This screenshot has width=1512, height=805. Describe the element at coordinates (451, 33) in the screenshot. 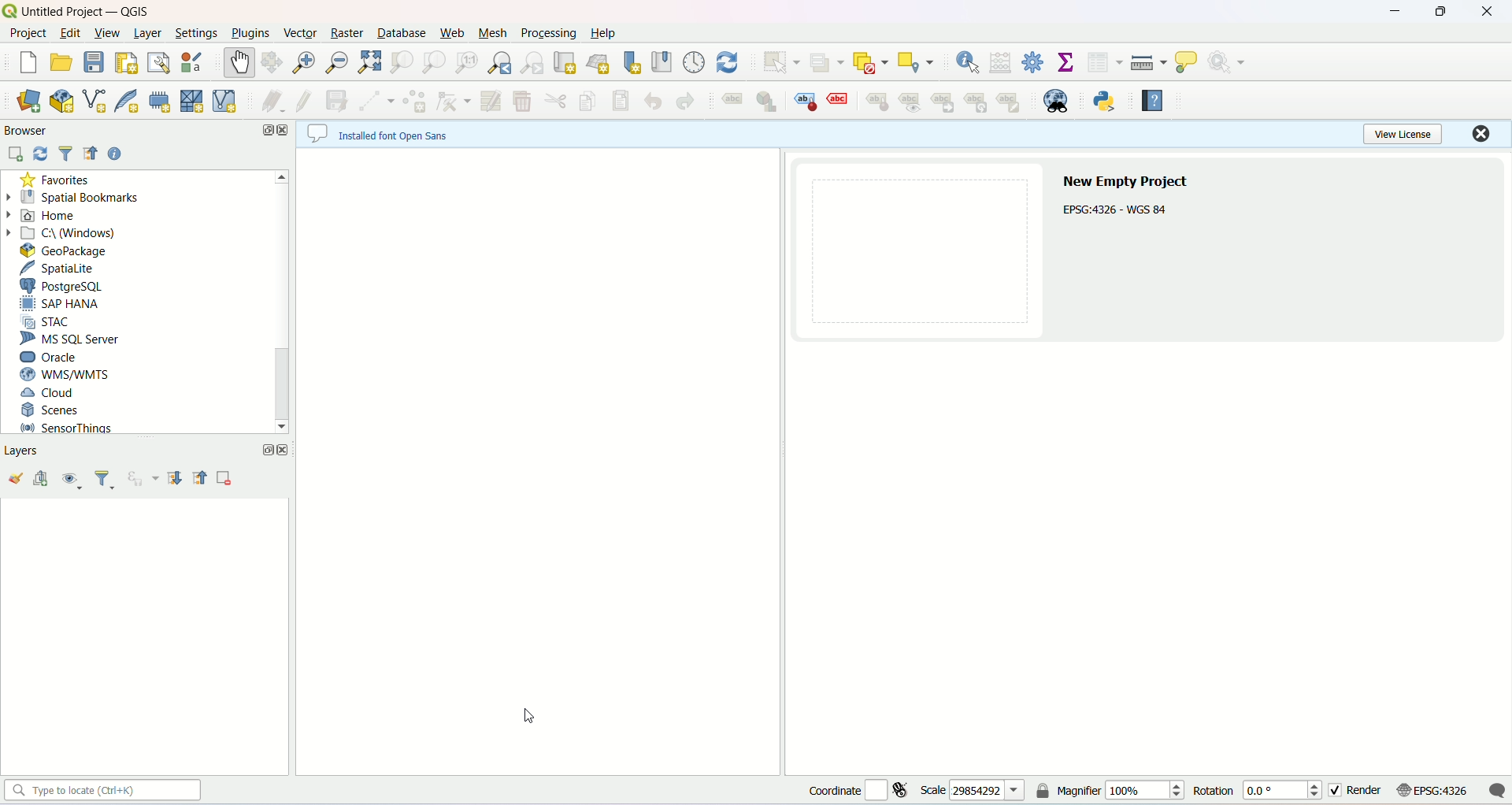

I see `web` at that location.